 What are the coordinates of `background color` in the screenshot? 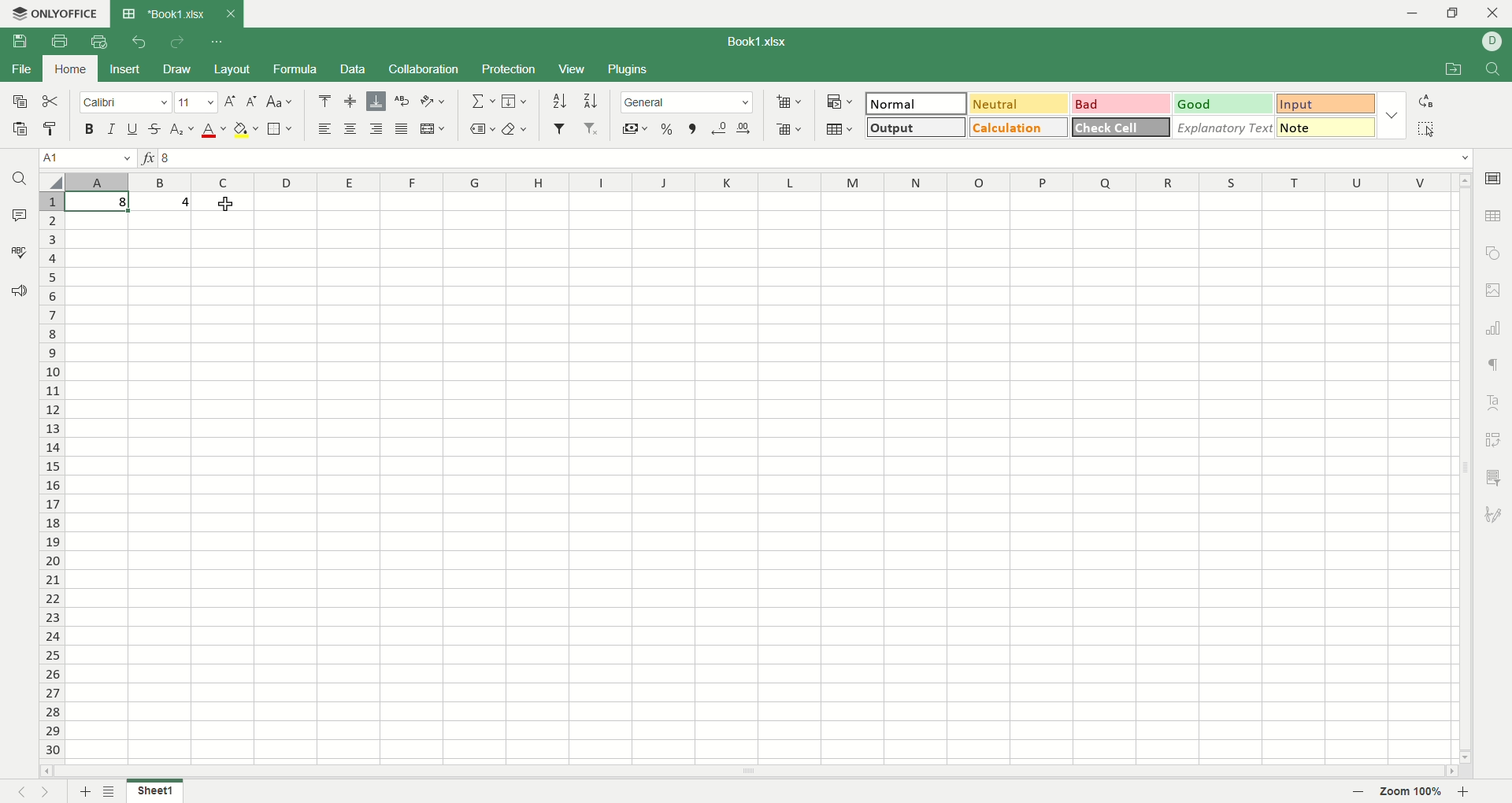 It's located at (246, 130).